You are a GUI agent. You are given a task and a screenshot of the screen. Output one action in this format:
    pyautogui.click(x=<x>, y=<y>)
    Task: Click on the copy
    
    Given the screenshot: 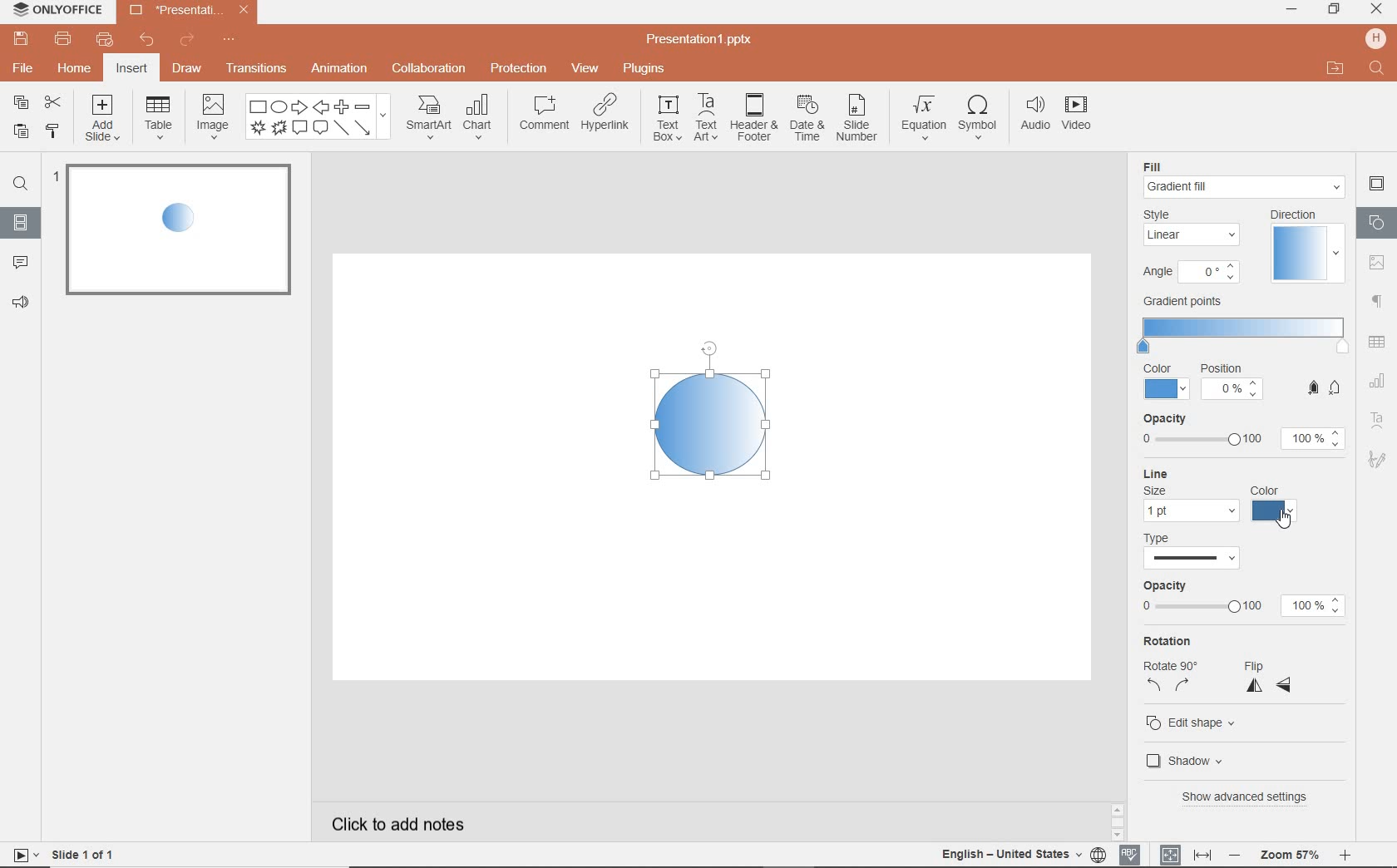 What is the action you would take?
    pyautogui.click(x=23, y=104)
    